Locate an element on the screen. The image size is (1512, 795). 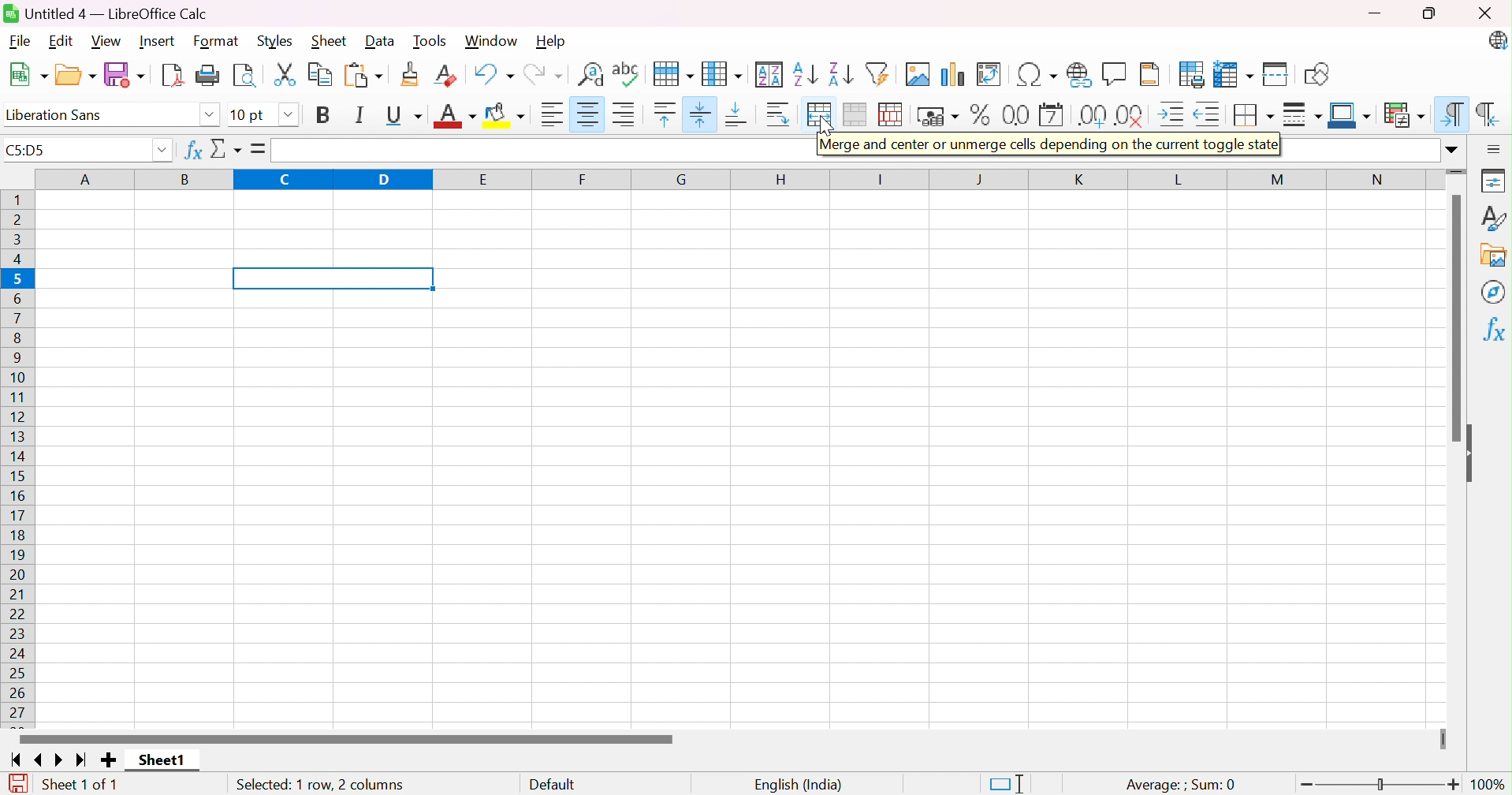
Font Color is located at coordinates (455, 115).